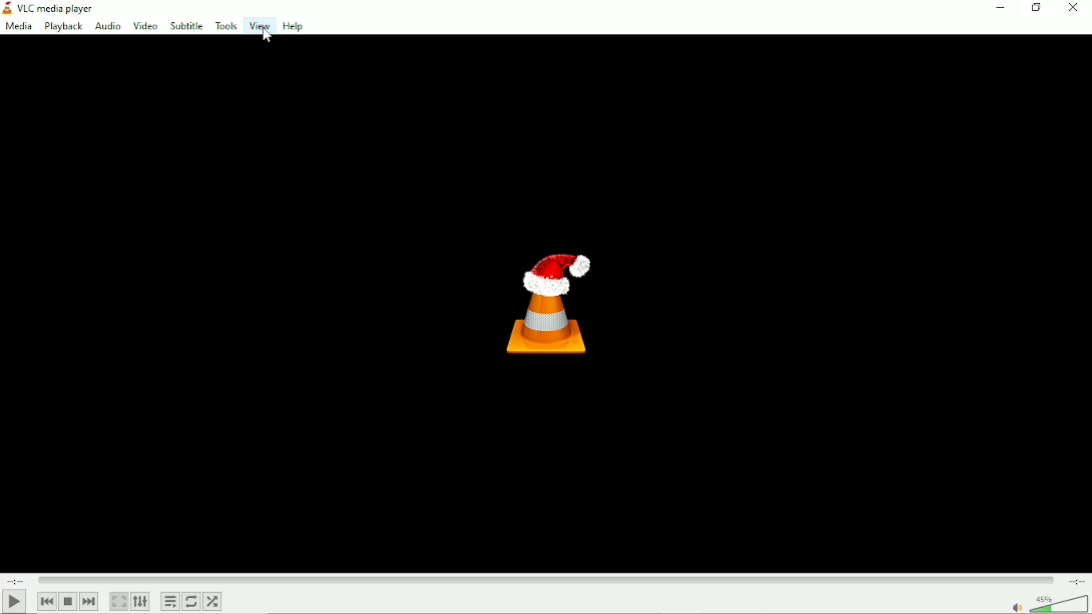 This screenshot has height=614, width=1092. Describe the element at coordinates (1076, 582) in the screenshot. I see `Total duration` at that location.